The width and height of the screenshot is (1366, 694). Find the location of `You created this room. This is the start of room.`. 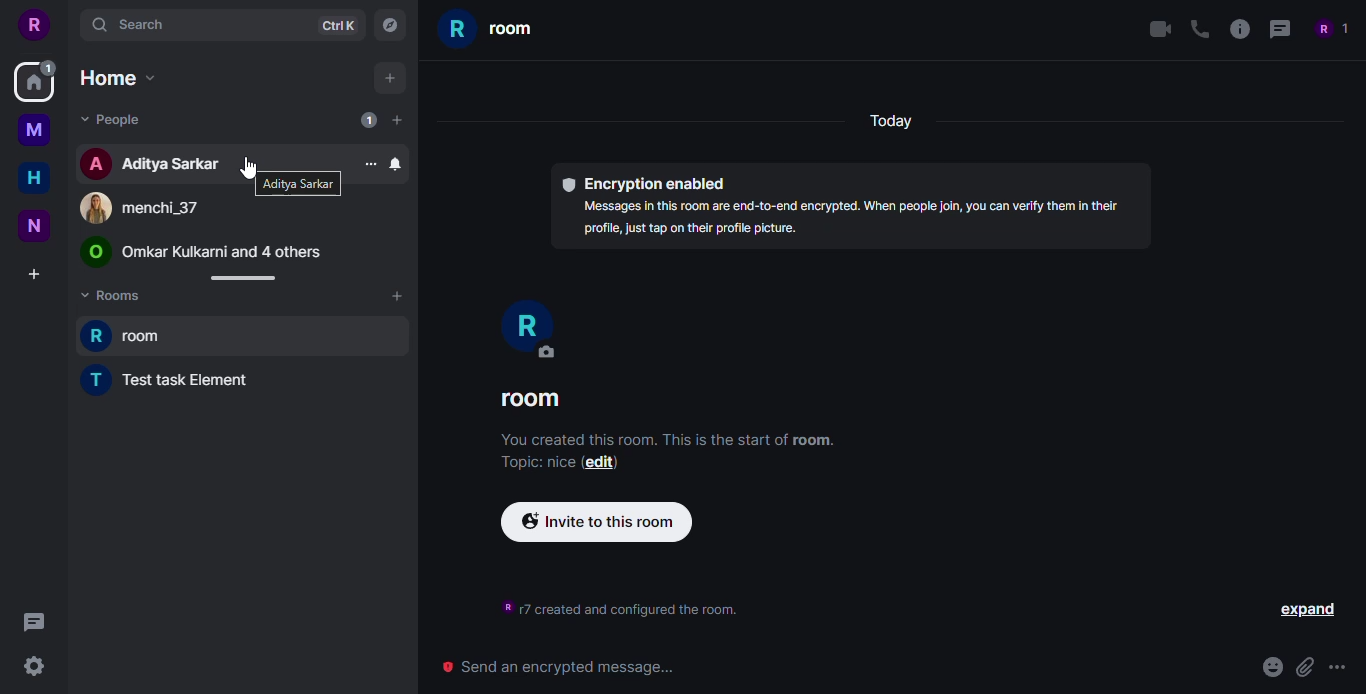

You created this room. This is the start of room. is located at coordinates (669, 440).